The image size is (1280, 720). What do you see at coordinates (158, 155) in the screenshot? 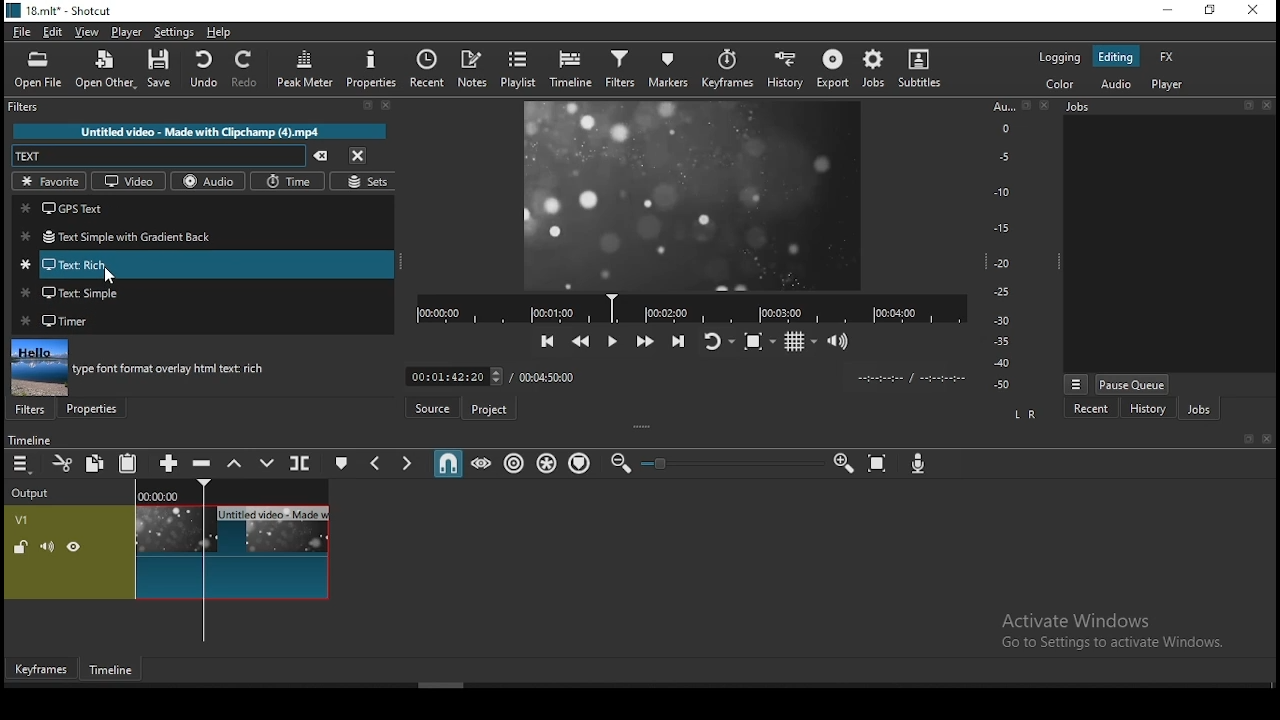
I see `search` at bounding box center [158, 155].